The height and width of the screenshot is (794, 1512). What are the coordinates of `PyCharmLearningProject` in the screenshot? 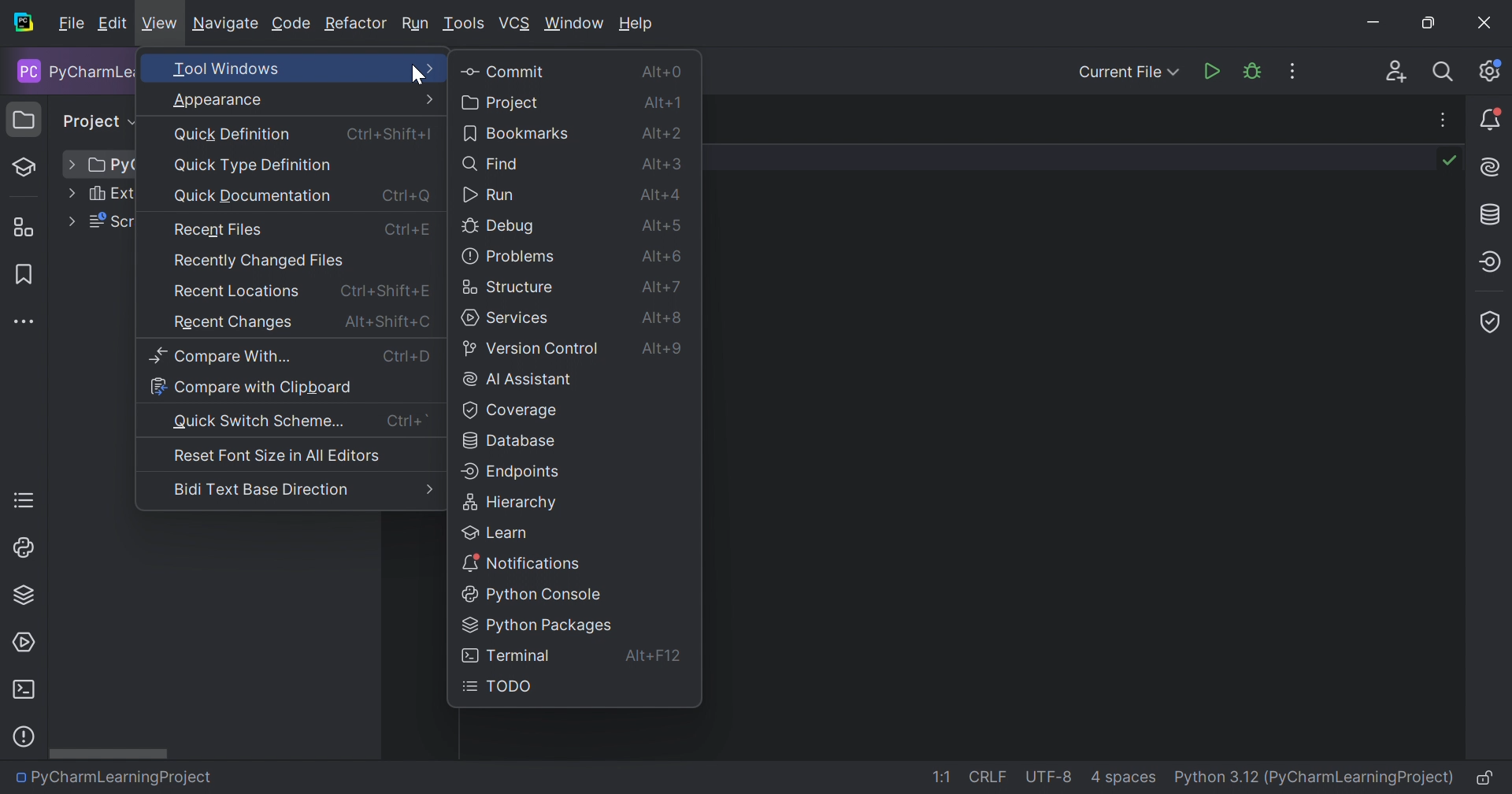 It's located at (123, 781).